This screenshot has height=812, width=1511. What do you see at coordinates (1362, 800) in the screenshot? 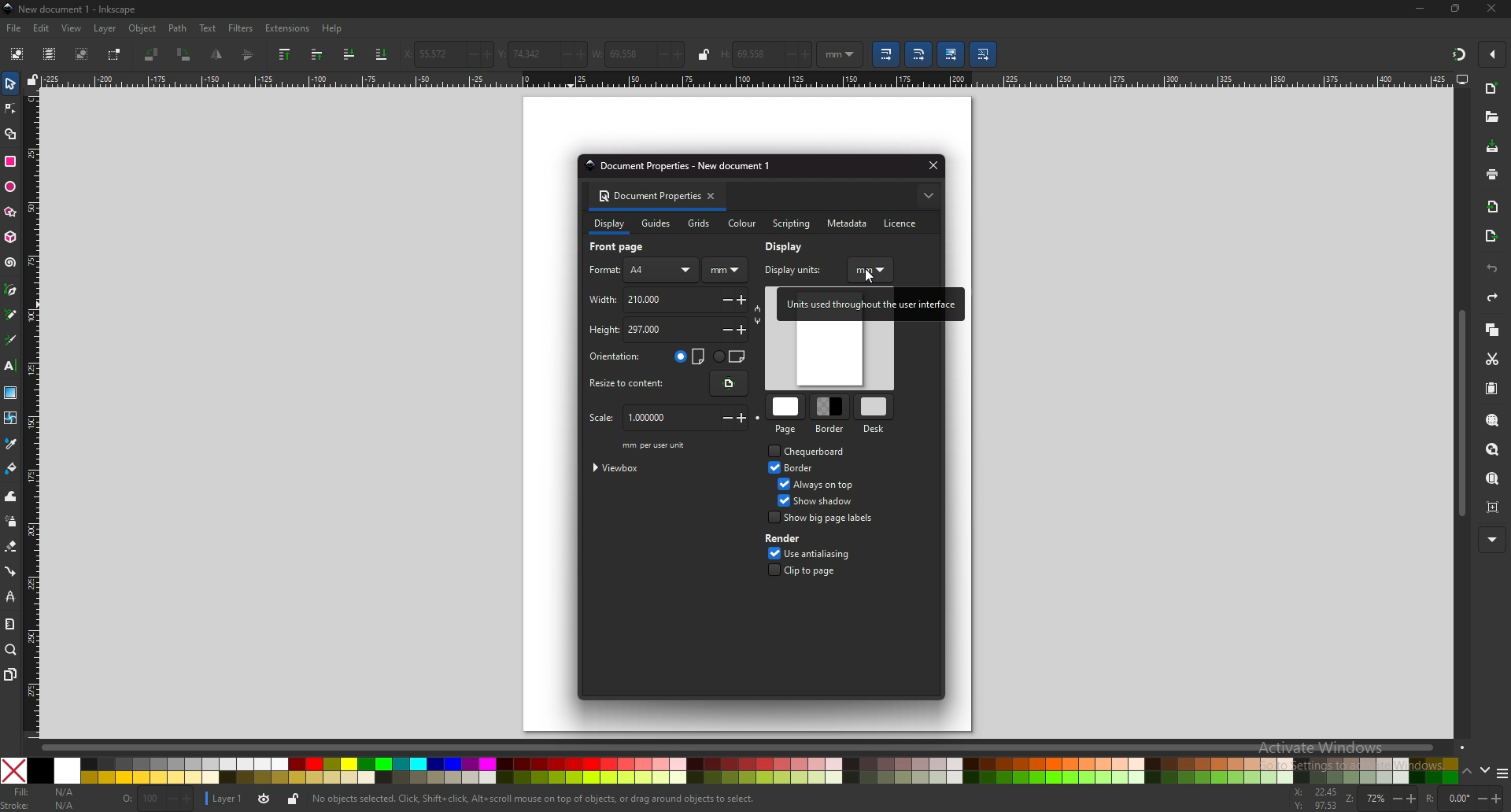
I see `zoom` at bounding box center [1362, 800].